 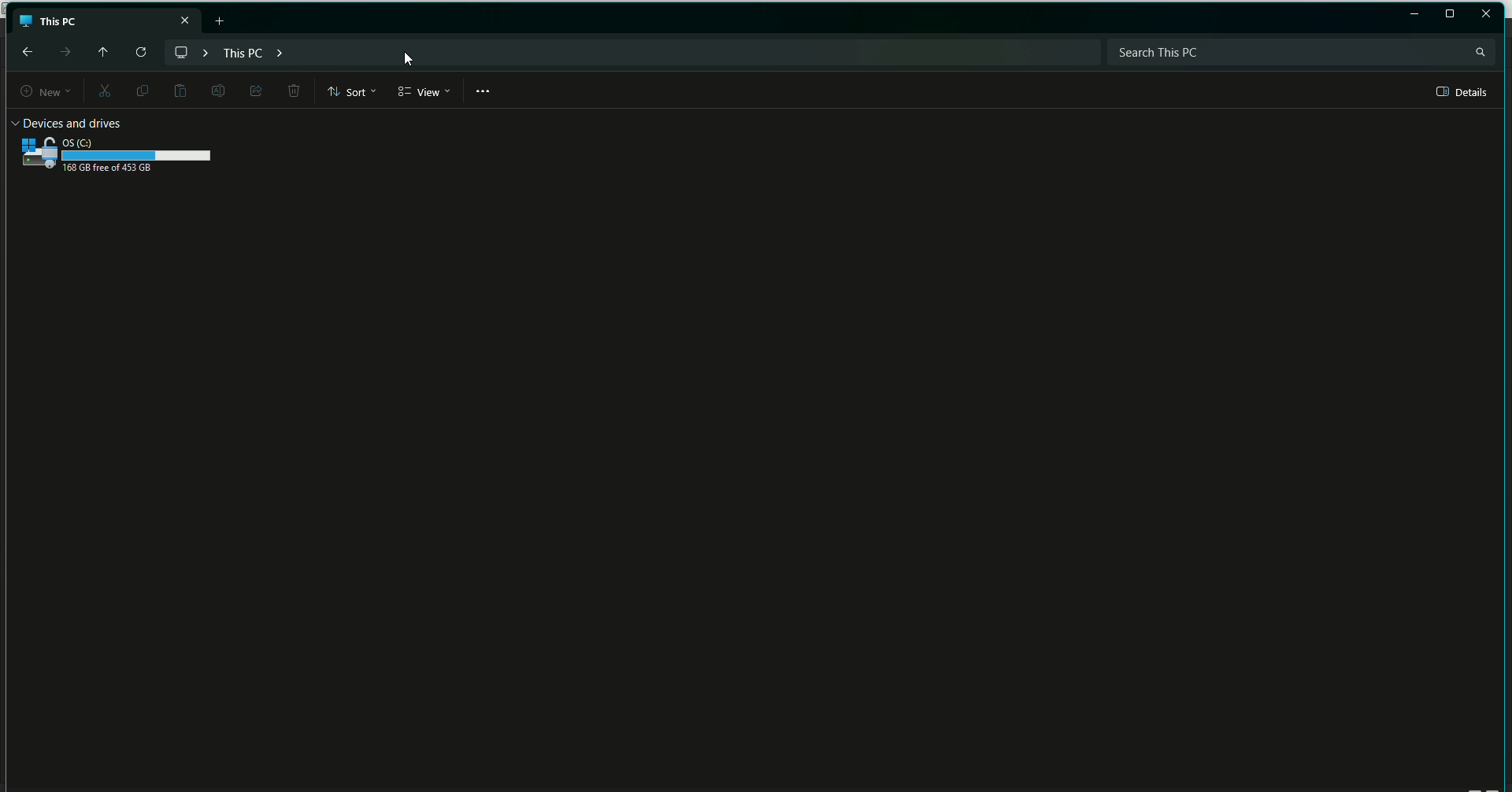 What do you see at coordinates (139, 90) in the screenshot?
I see `Copy` at bounding box center [139, 90].